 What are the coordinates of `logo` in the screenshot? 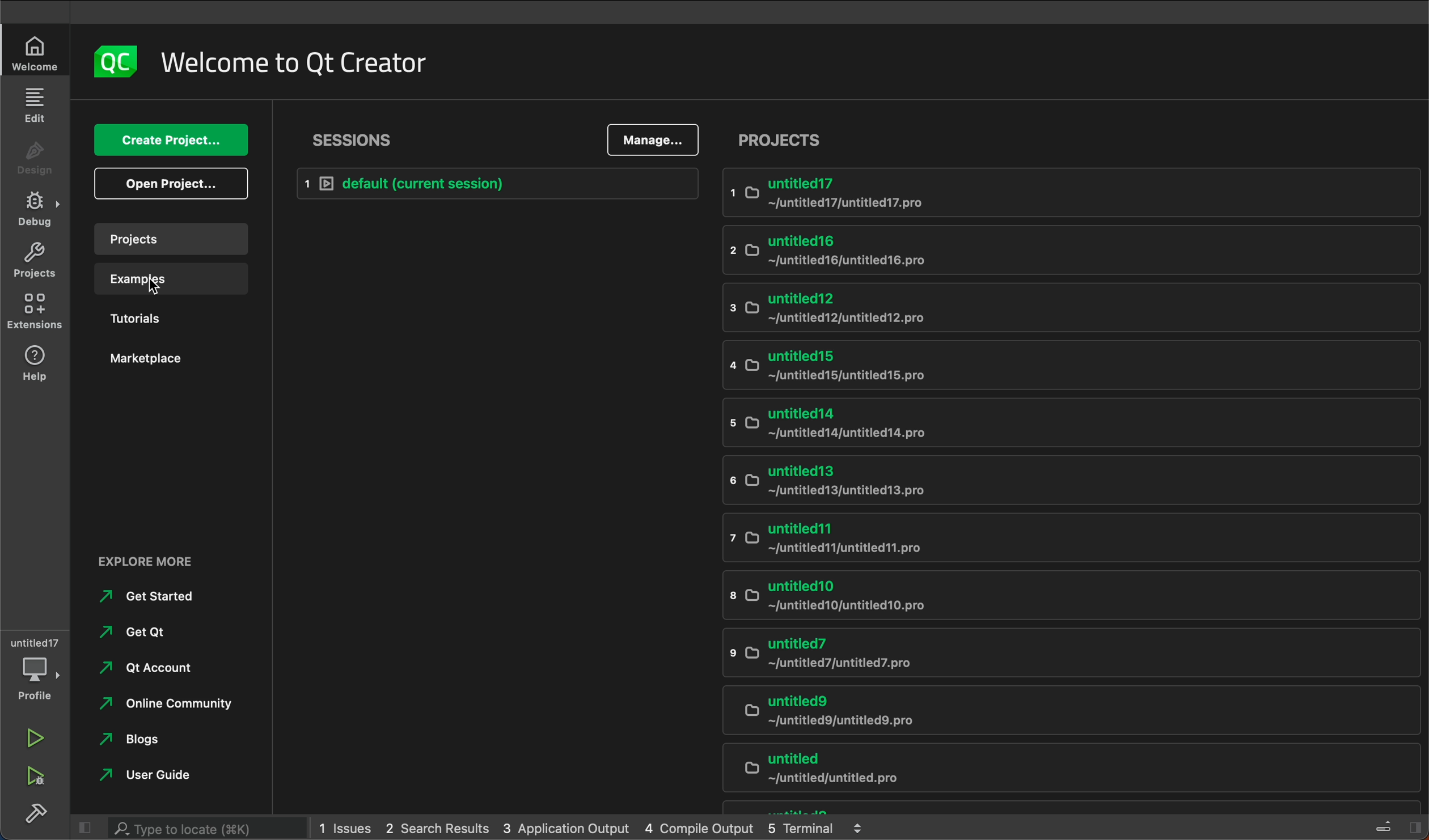 It's located at (116, 60).